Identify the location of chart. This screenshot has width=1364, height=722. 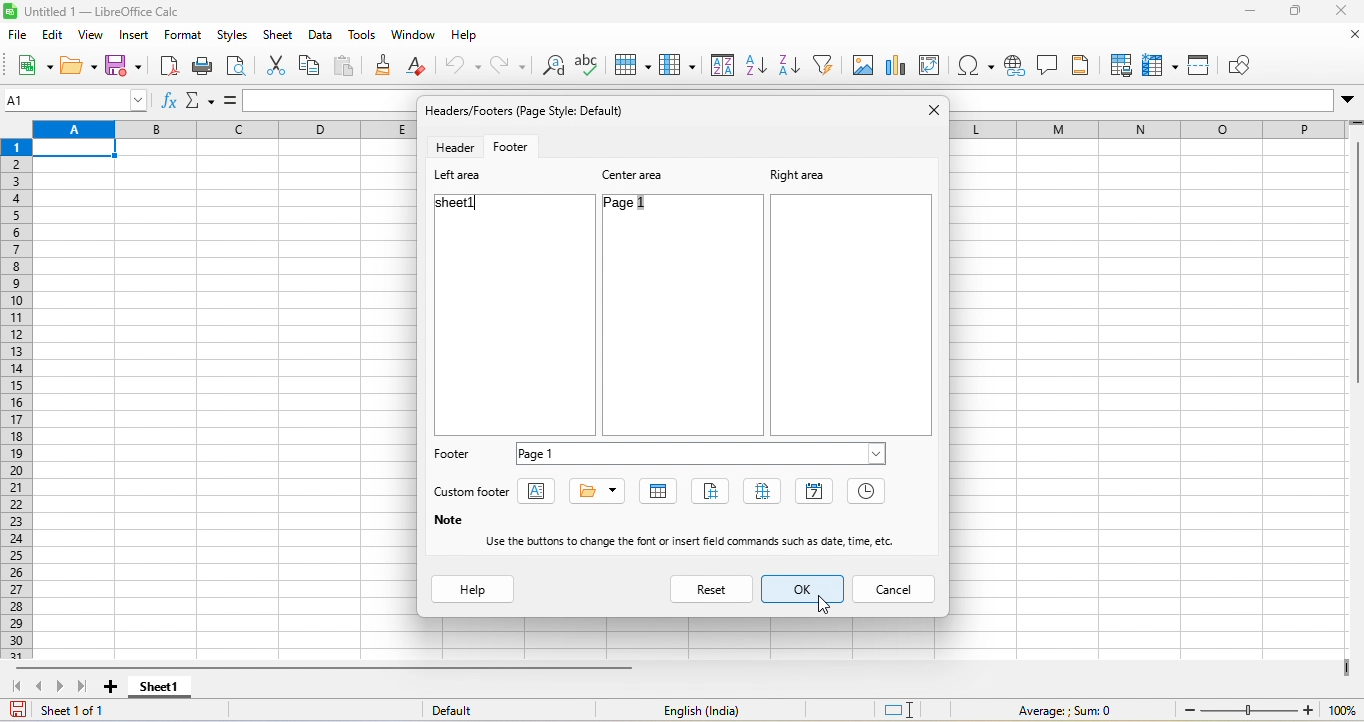
(901, 64).